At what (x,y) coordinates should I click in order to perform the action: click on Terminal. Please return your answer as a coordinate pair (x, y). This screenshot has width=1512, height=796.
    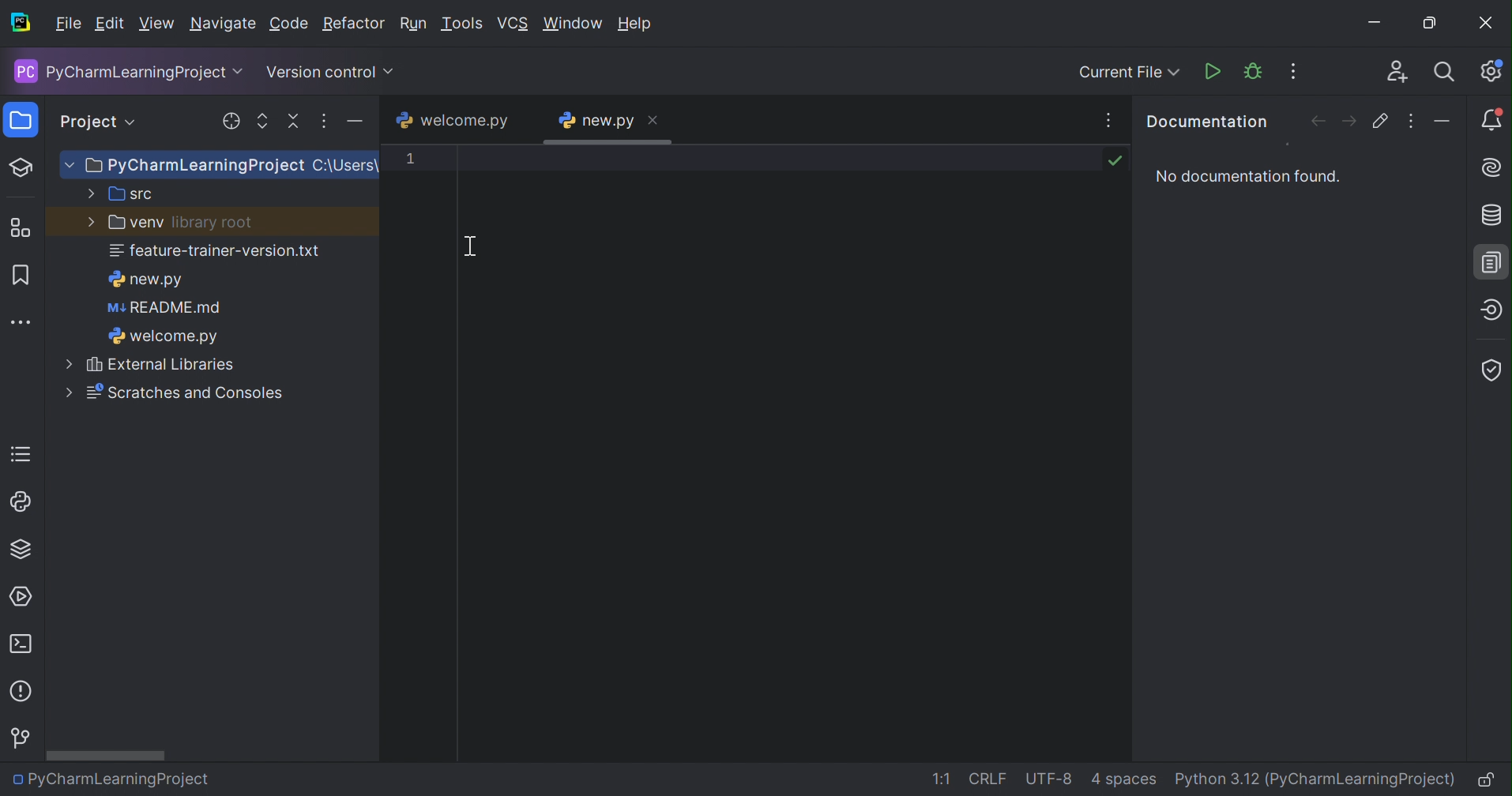
    Looking at the image, I should click on (25, 645).